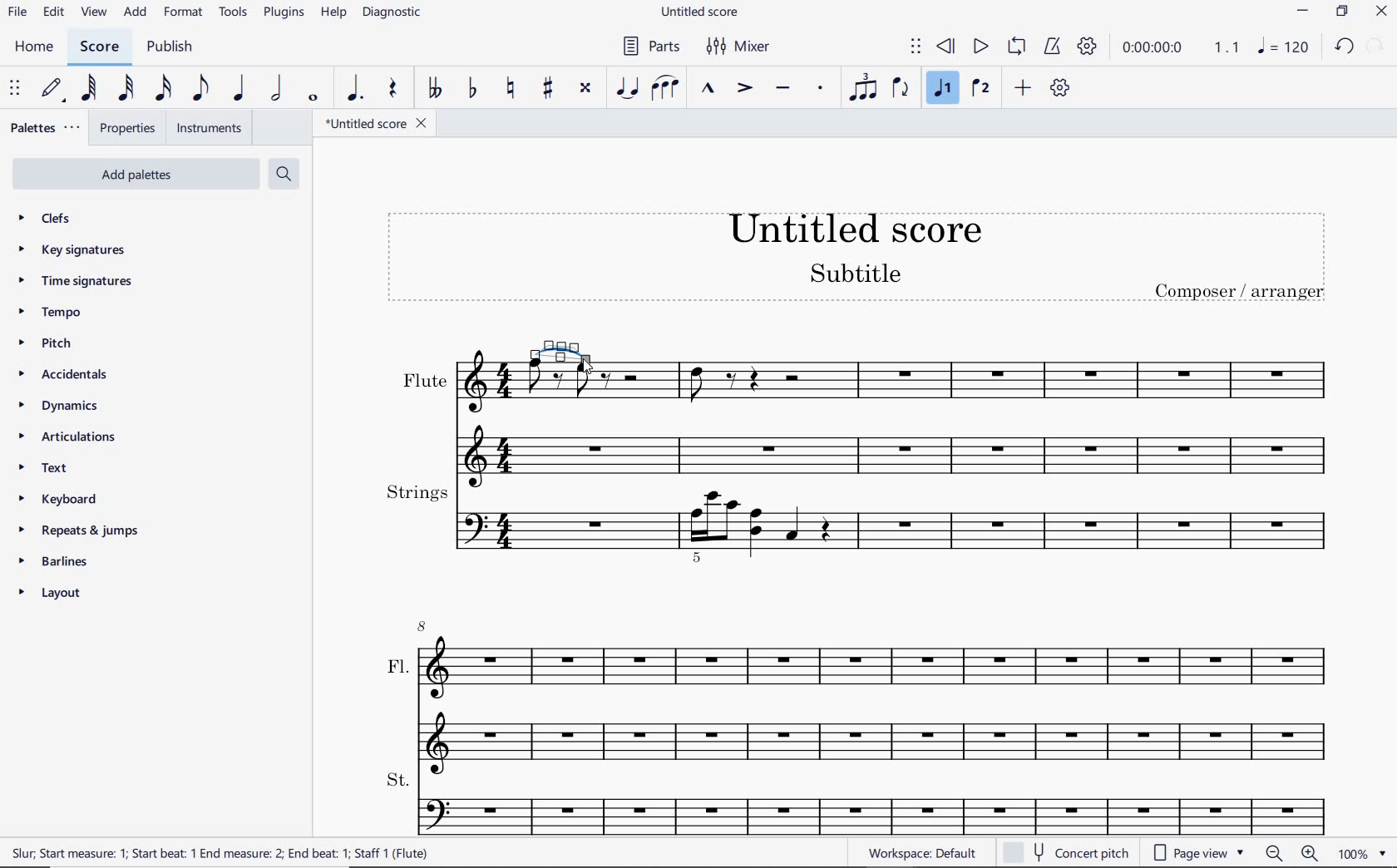  I want to click on CUSTOMIZE TOOLBAR, so click(1060, 89).